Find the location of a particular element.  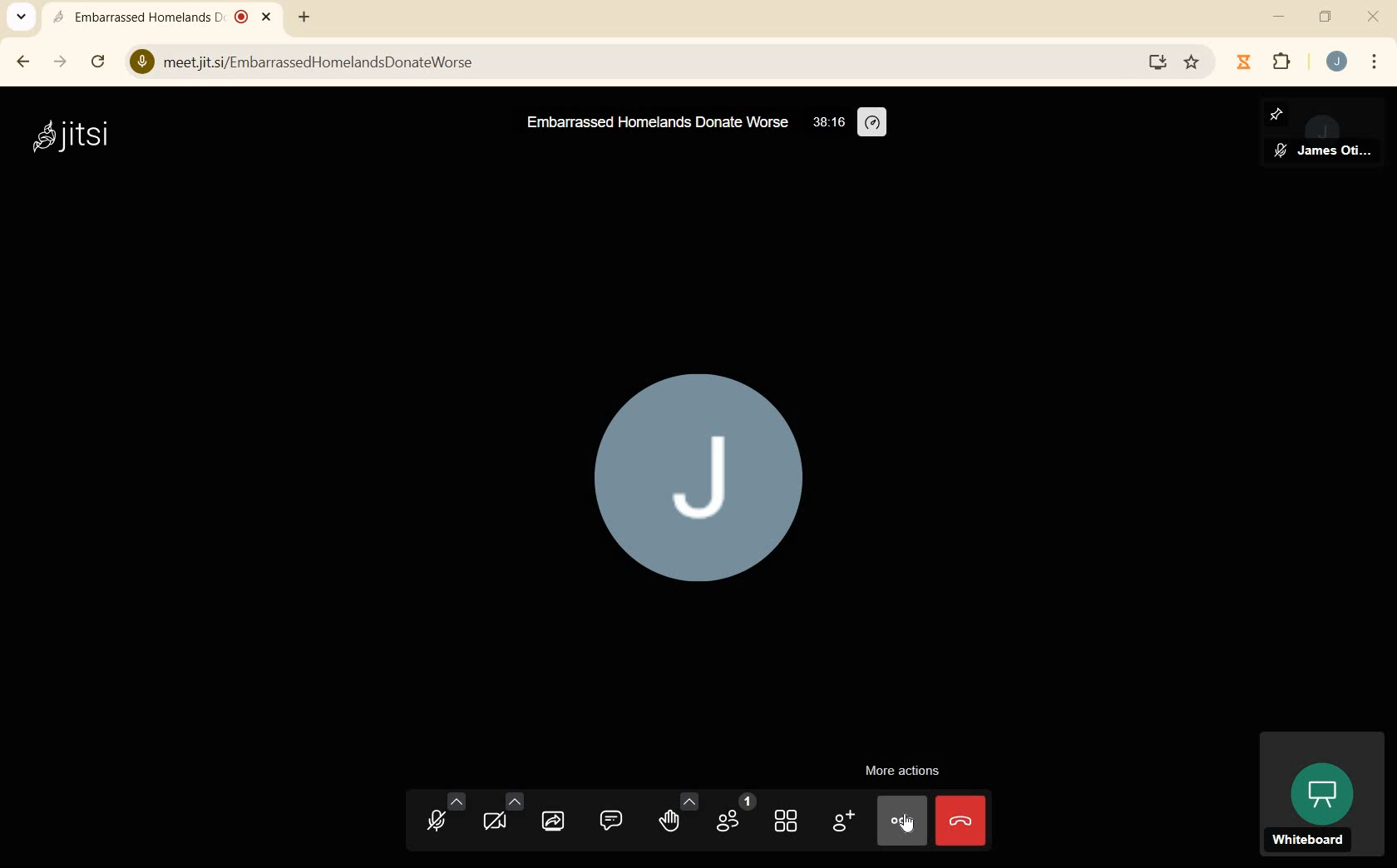

restore down is located at coordinates (1325, 17).